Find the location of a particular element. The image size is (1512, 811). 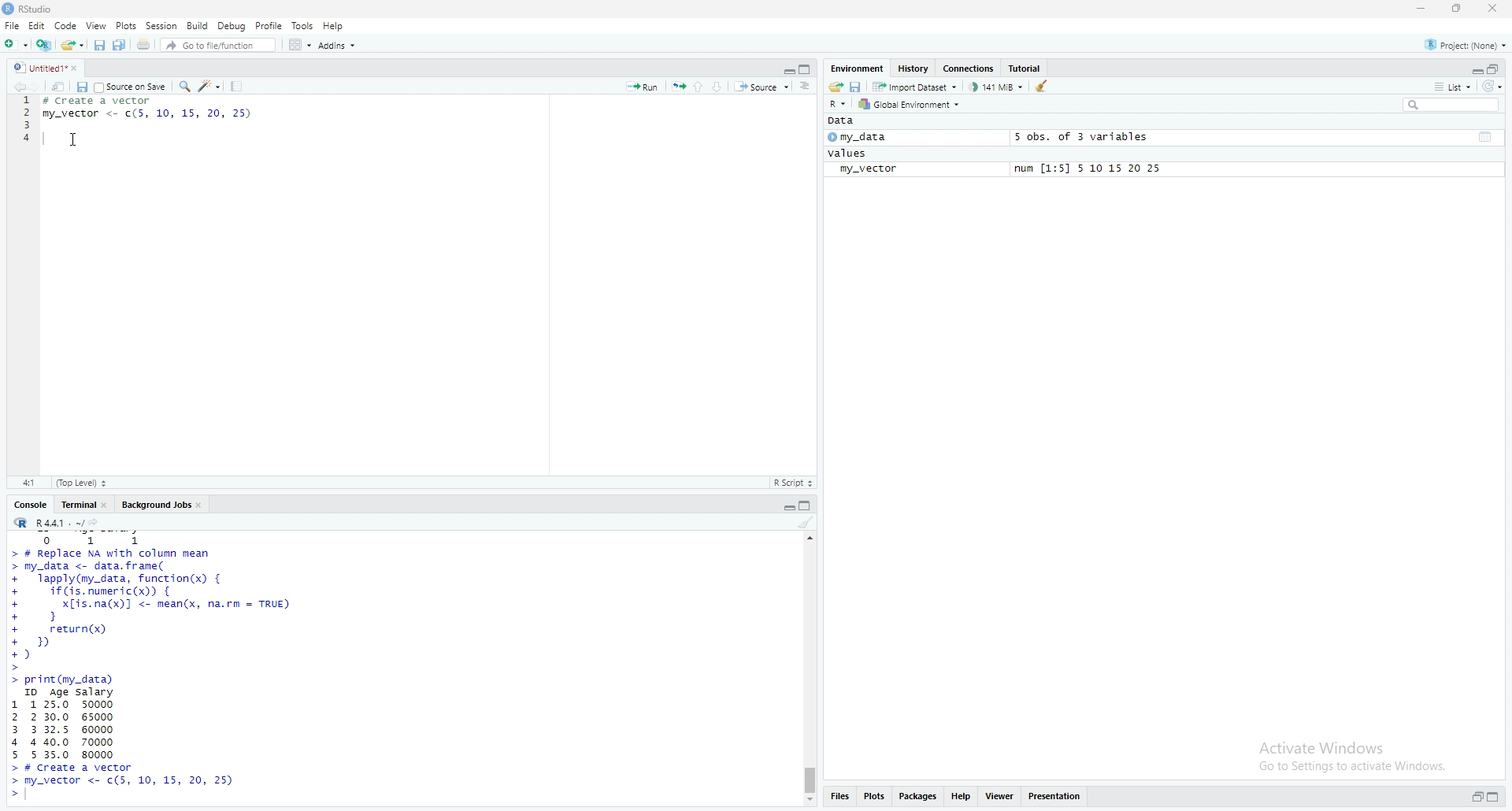

files is located at coordinates (843, 798).